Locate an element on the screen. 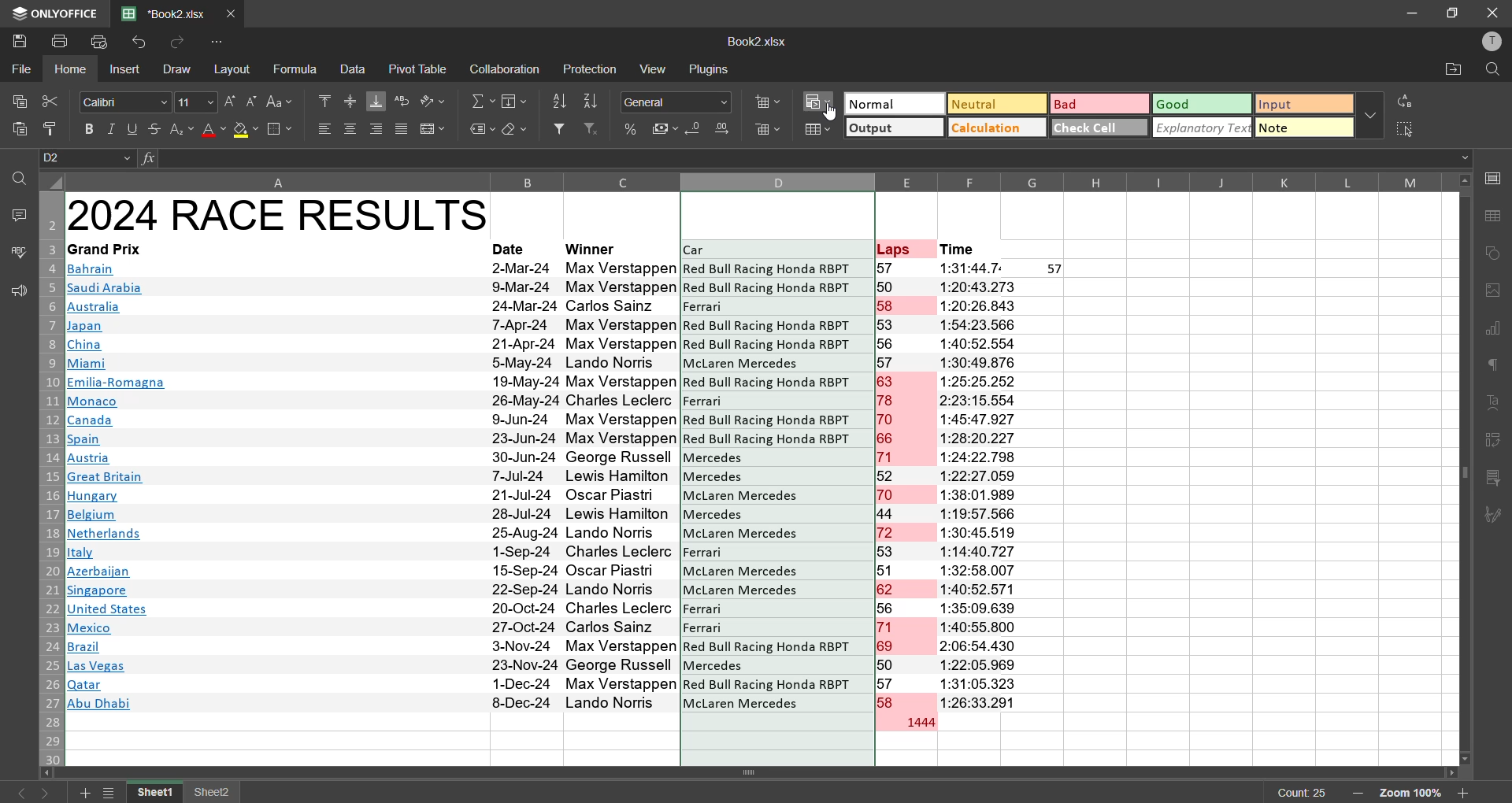 The image size is (1512, 803). zoom in is located at coordinates (1356, 794).